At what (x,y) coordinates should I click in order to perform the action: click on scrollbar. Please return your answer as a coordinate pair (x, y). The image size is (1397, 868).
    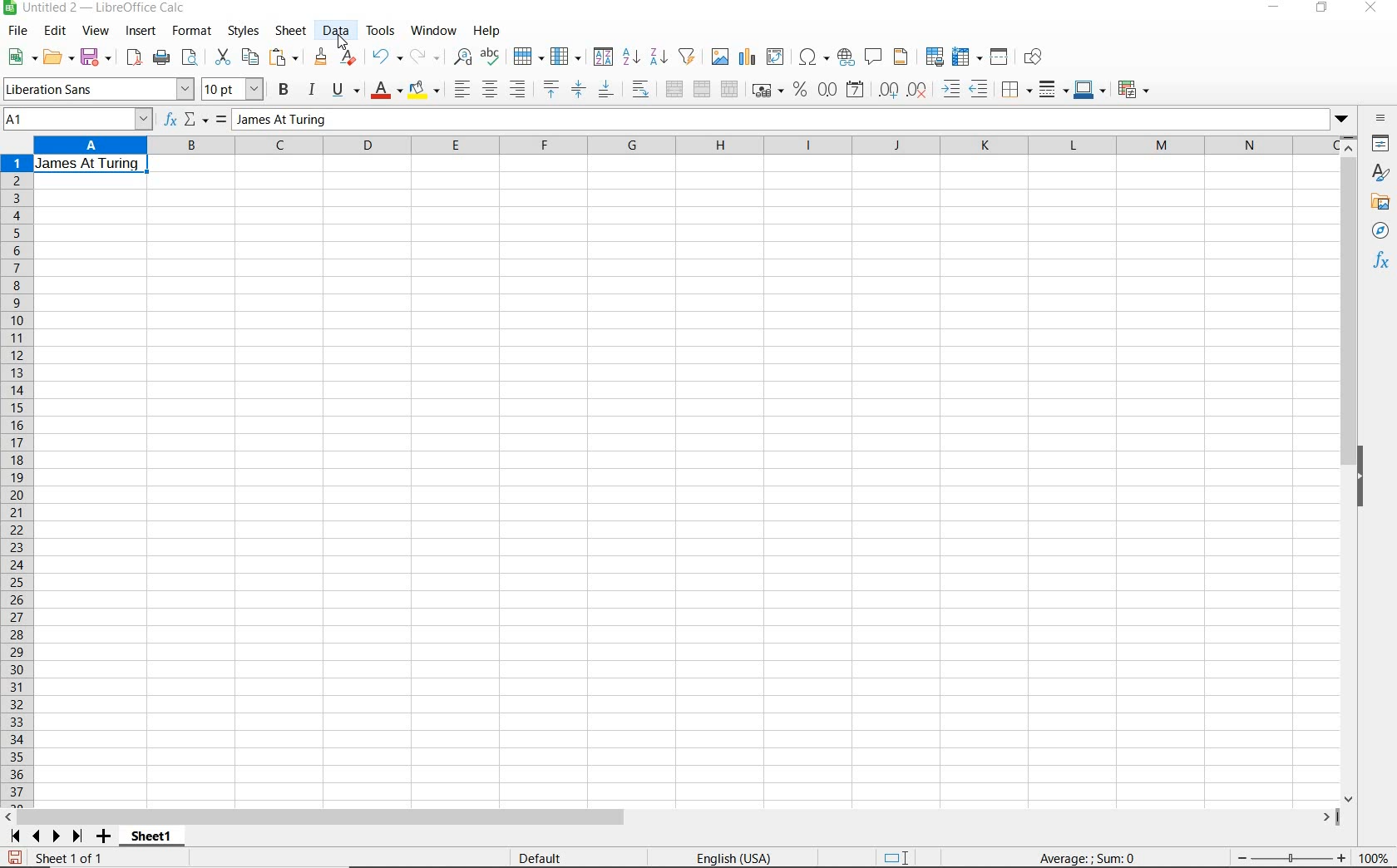
    Looking at the image, I should click on (673, 818).